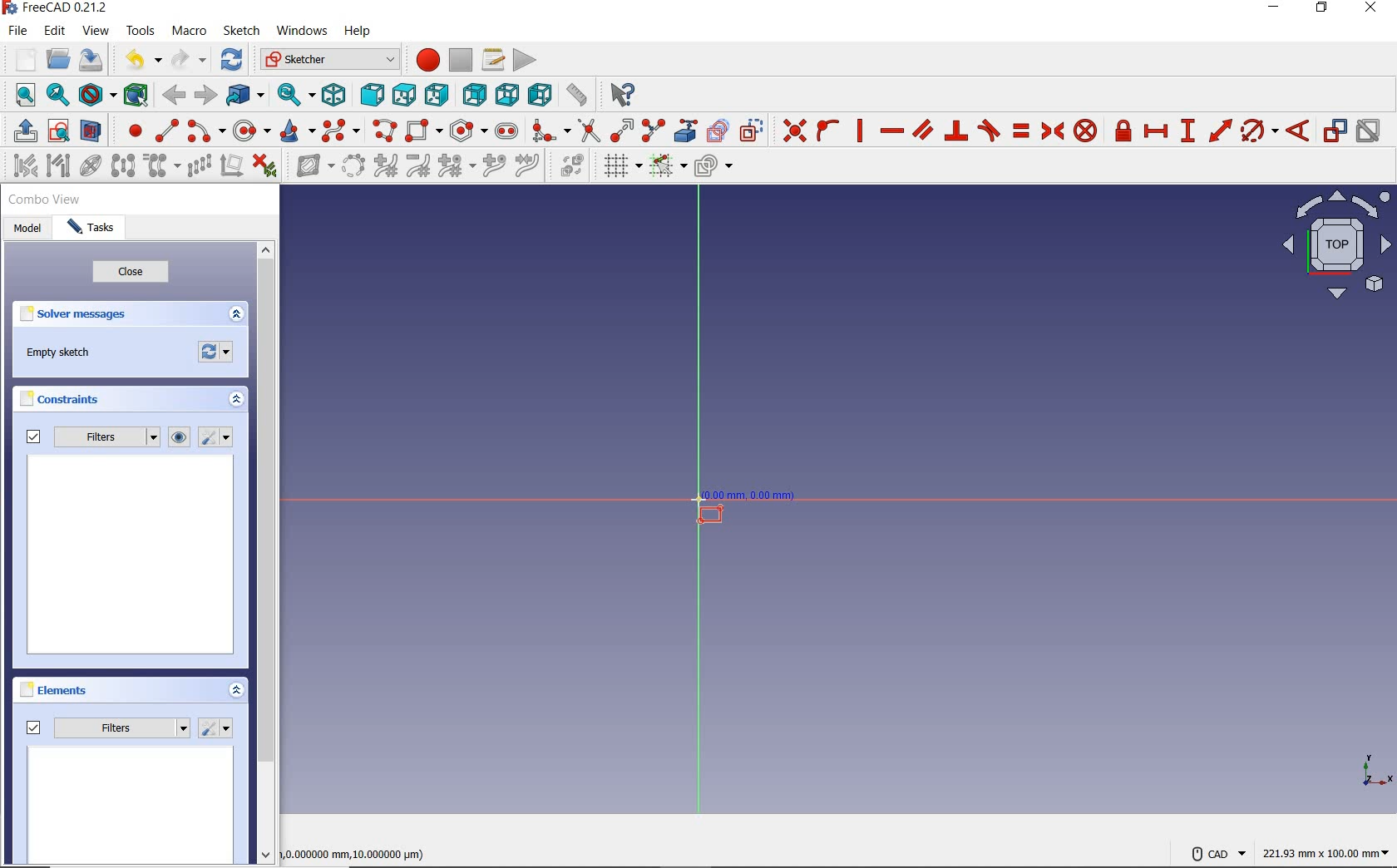  What do you see at coordinates (189, 60) in the screenshot?
I see `redo` at bounding box center [189, 60].